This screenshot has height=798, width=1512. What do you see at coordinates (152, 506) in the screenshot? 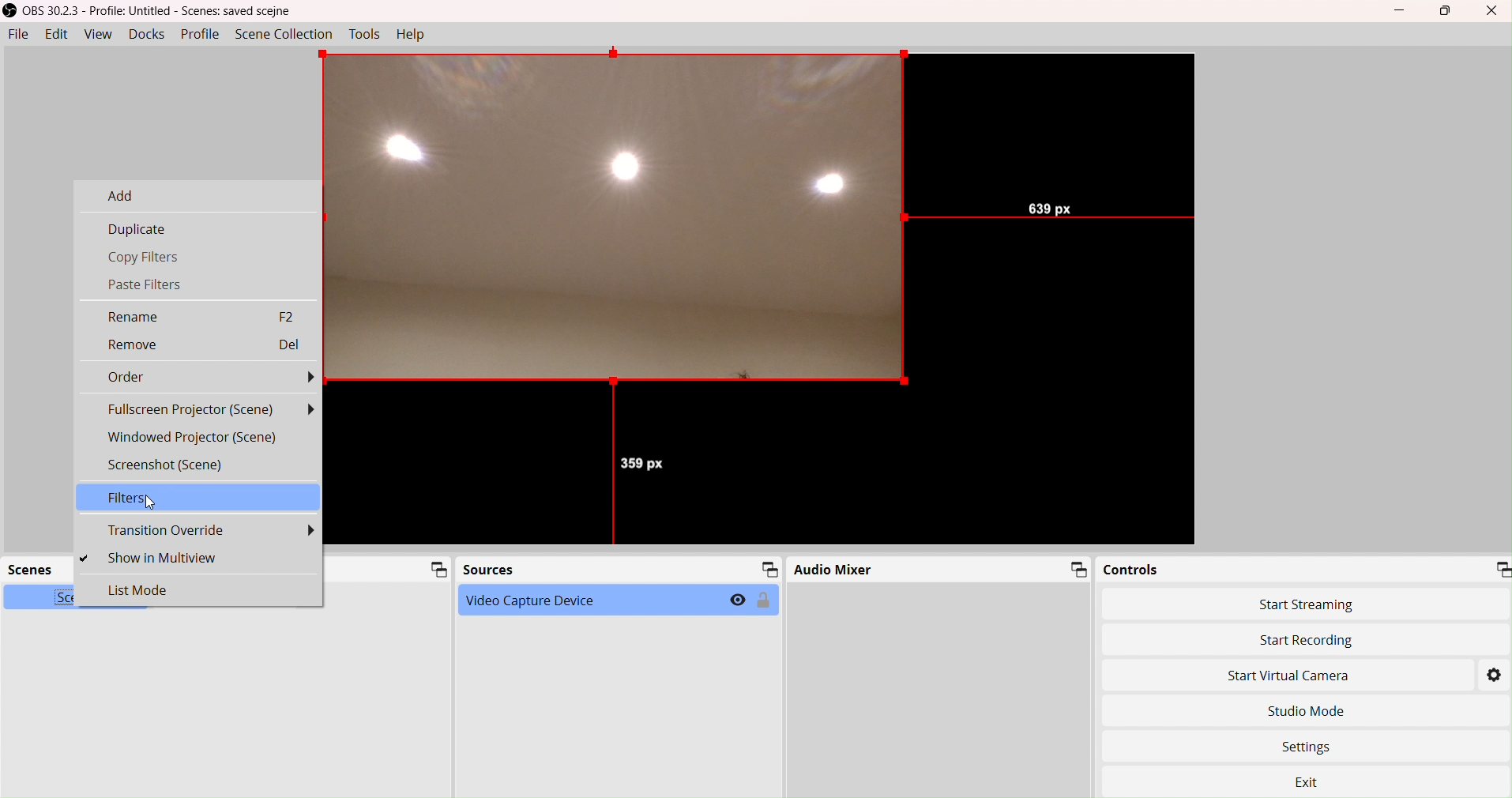
I see `cursor` at bounding box center [152, 506].